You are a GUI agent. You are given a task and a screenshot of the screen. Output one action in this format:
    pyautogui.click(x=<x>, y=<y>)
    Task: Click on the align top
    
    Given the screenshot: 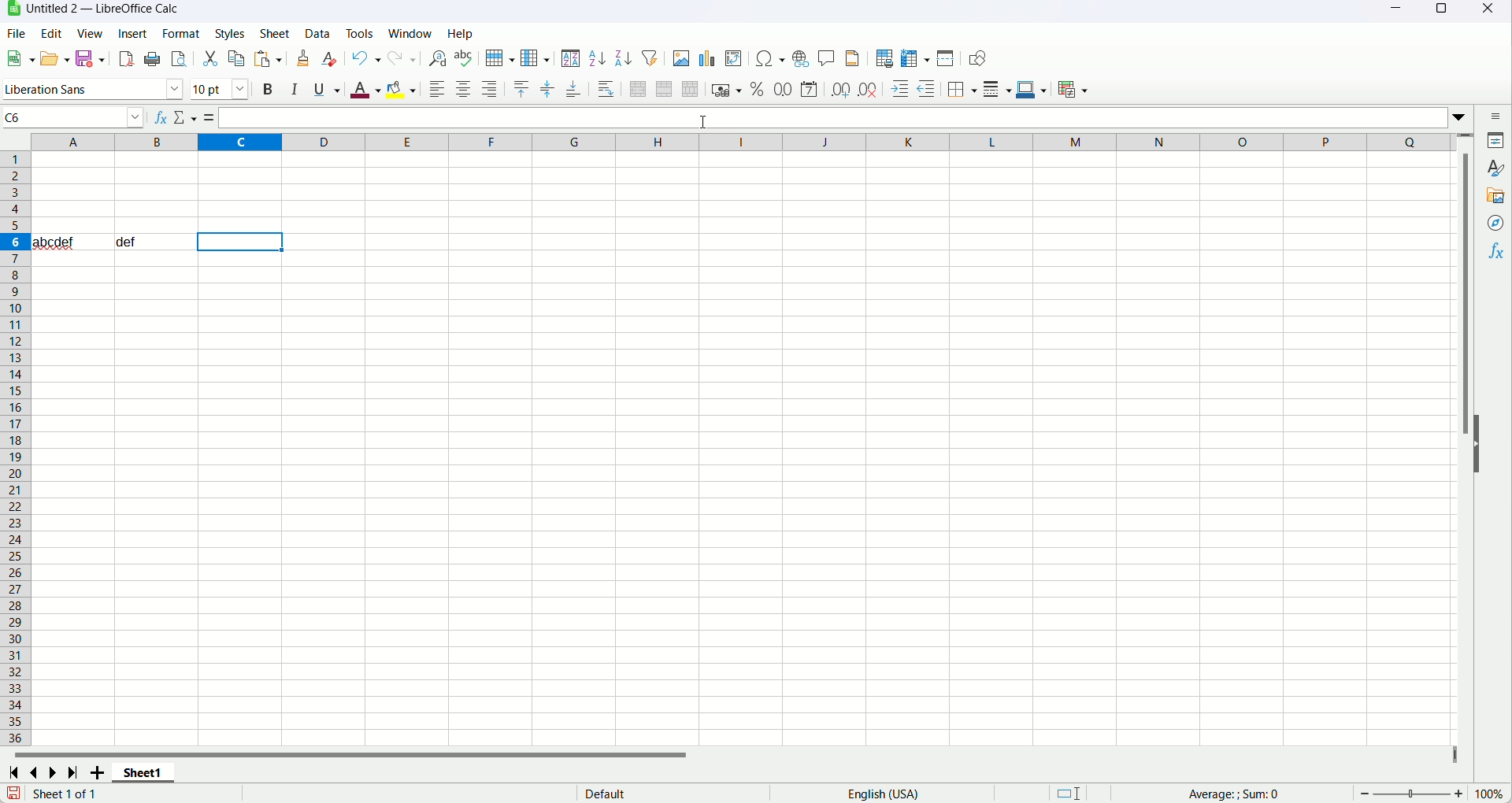 What is the action you would take?
    pyautogui.click(x=522, y=89)
    